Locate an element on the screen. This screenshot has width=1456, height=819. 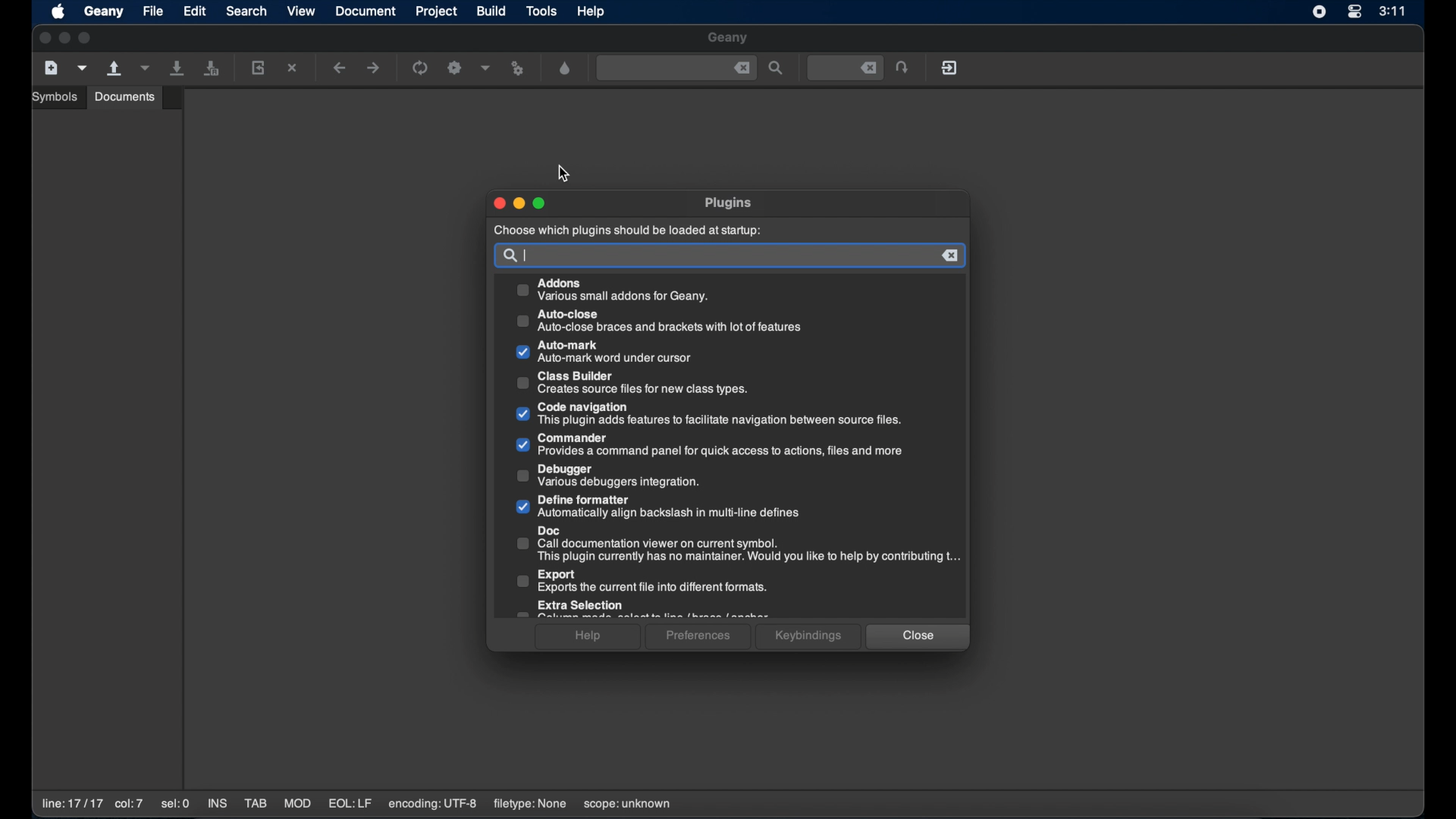
documents is located at coordinates (125, 96).